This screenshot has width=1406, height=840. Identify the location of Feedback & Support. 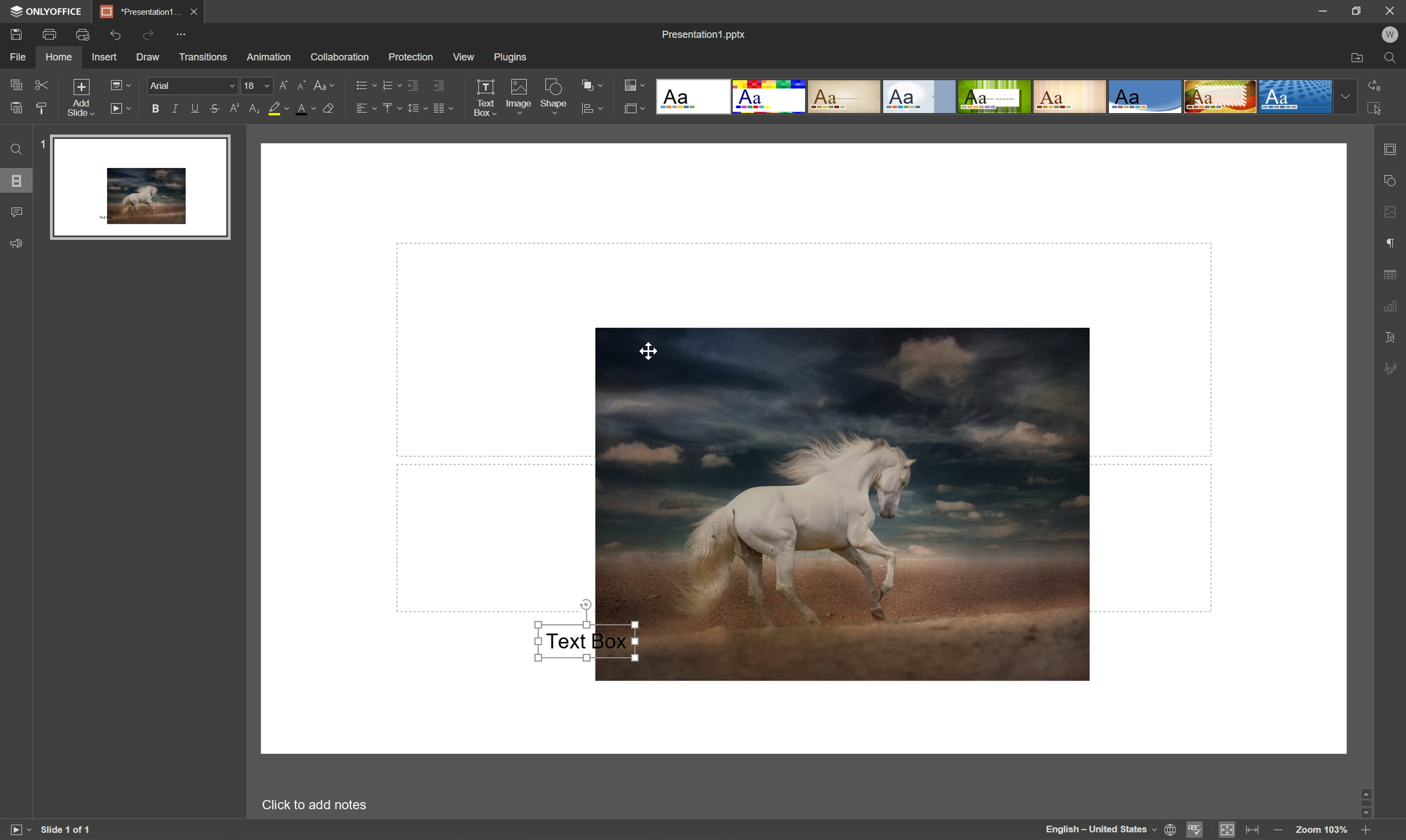
(18, 244).